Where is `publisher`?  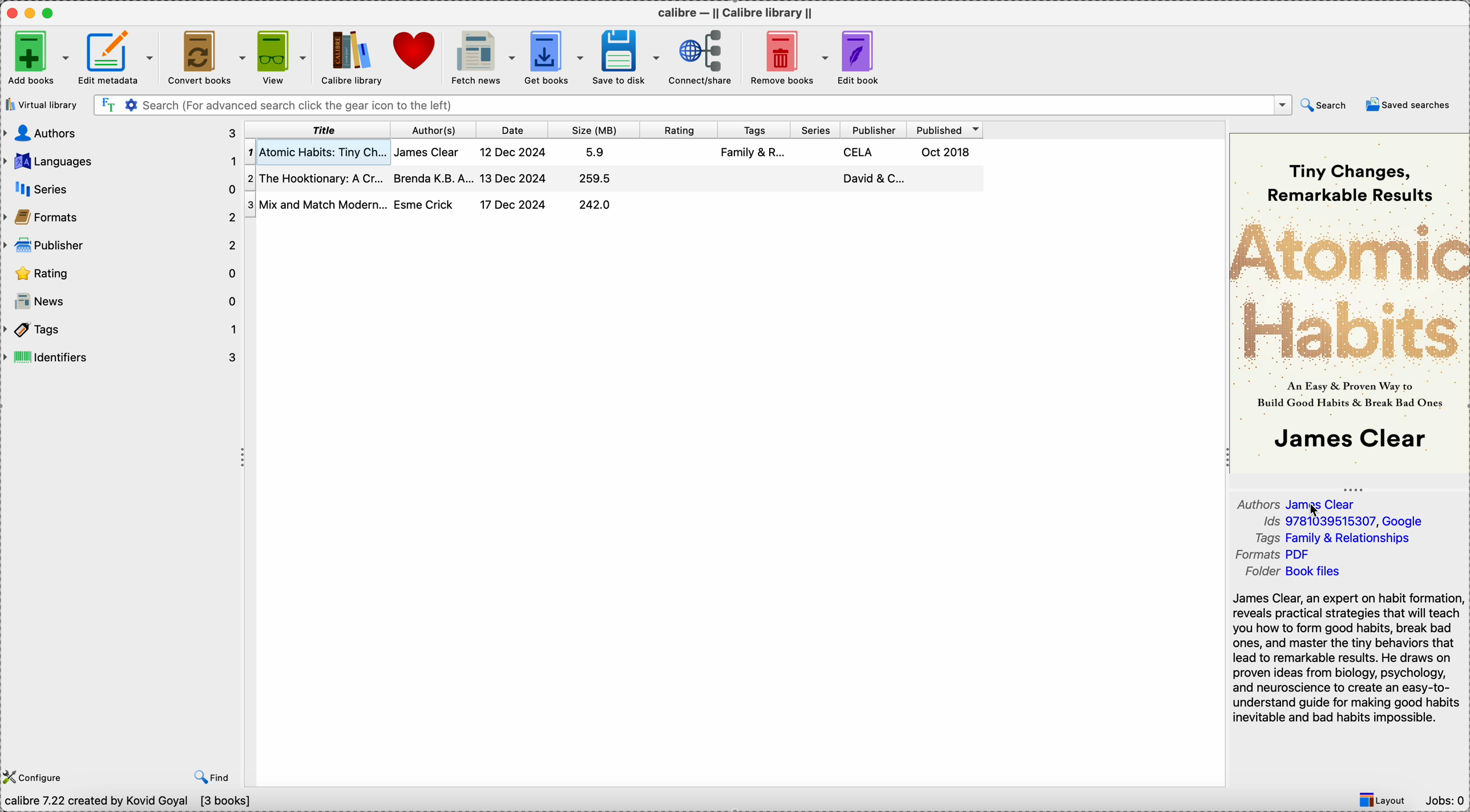
publisher is located at coordinates (873, 129).